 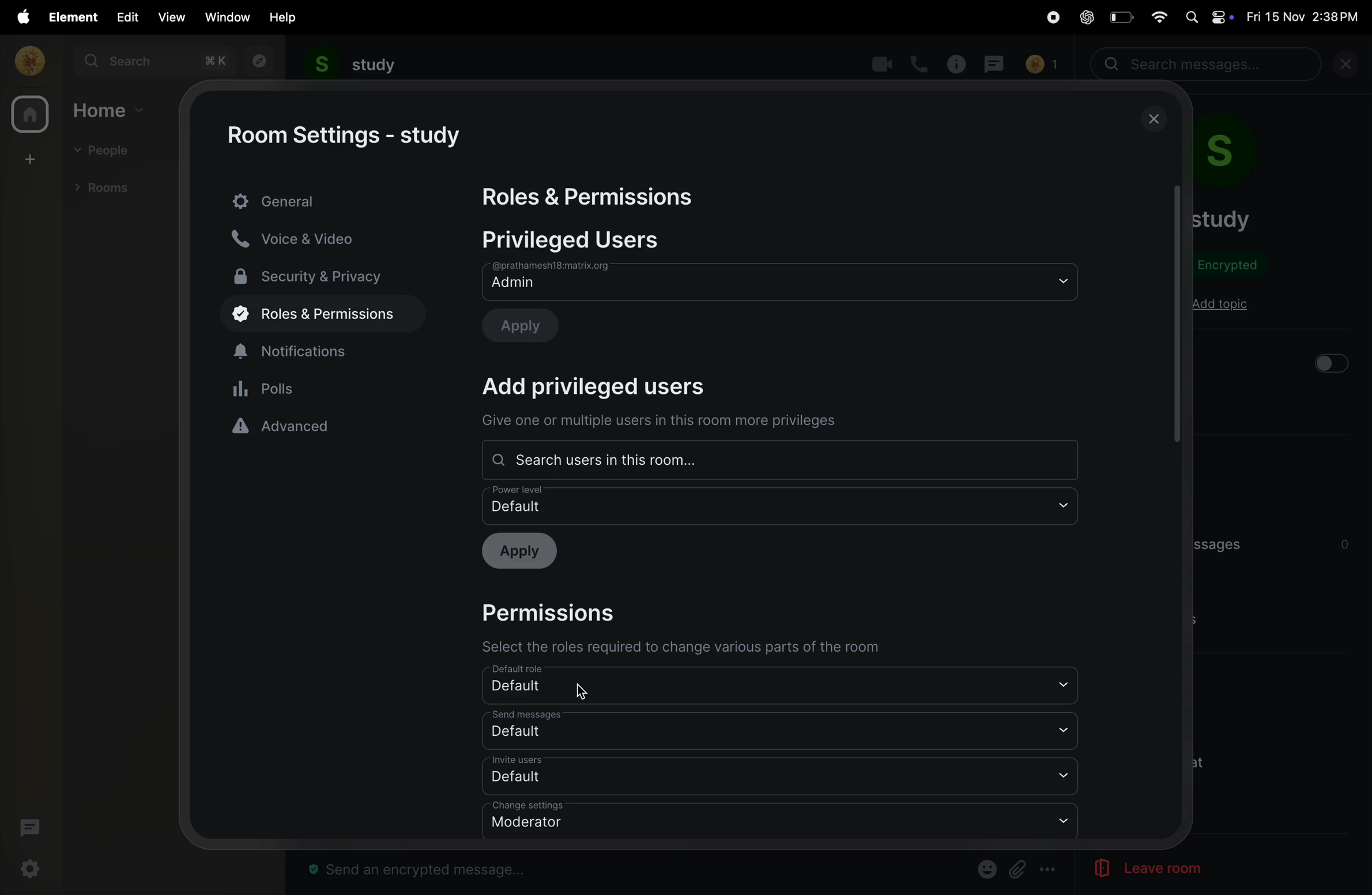 What do you see at coordinates (1208, 16) in the screenshot?
I see `apple widgets` at bounding box center [1208, 16].